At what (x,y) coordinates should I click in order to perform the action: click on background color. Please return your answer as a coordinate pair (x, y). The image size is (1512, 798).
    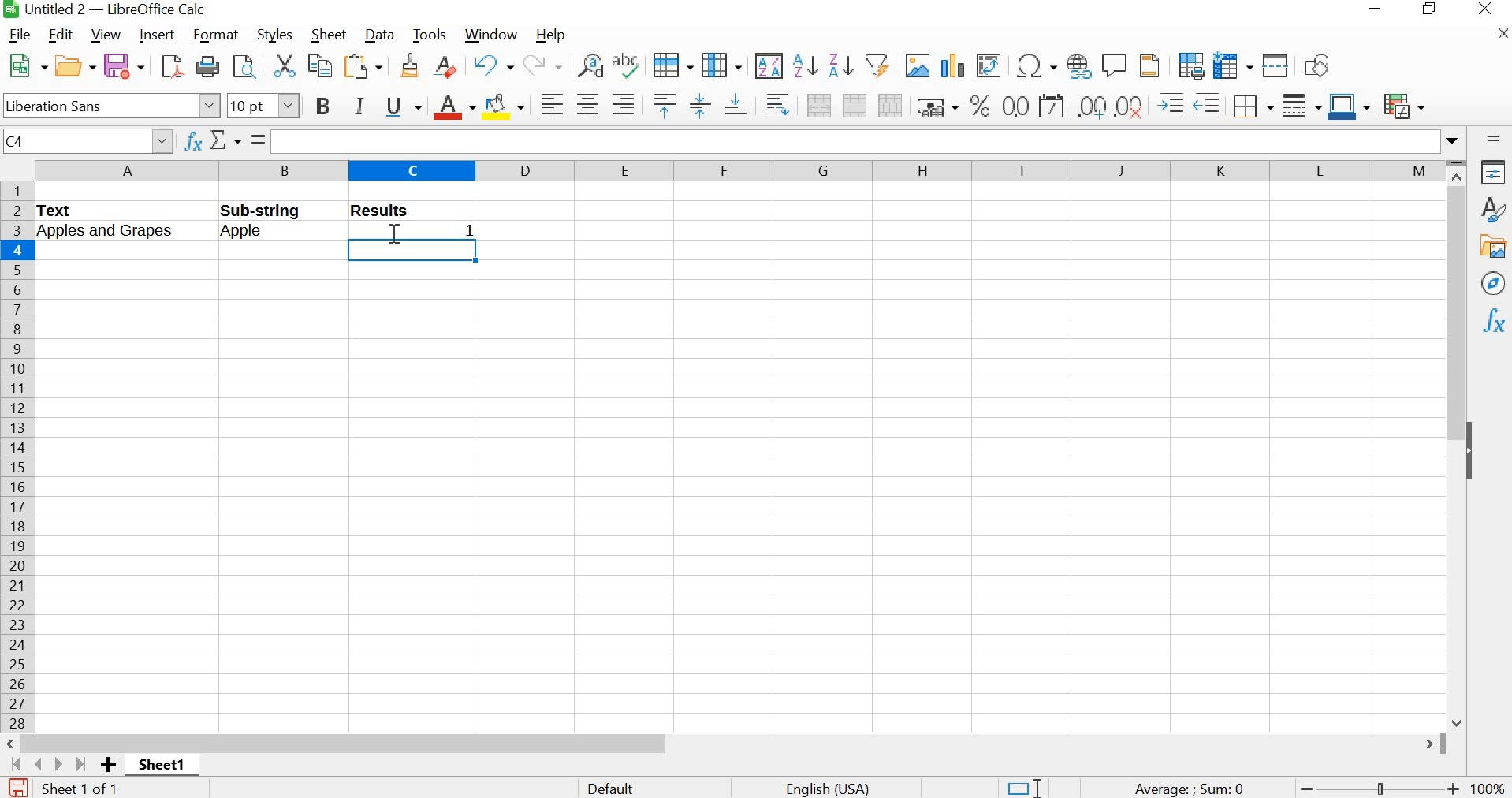
    Looking at the image, I should click on (505, 106).